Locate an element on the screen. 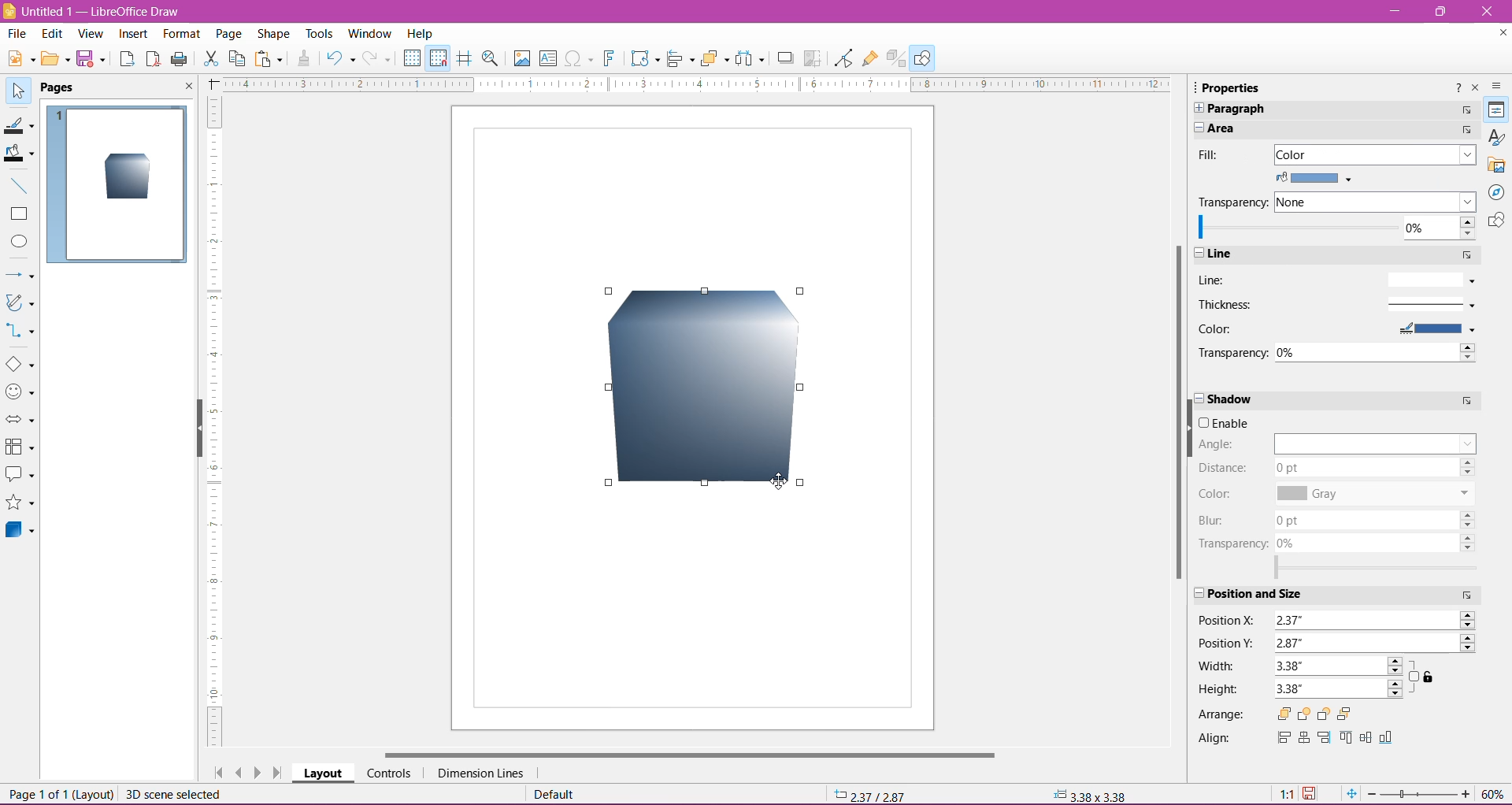  Lines and Arrows is located at coordinates (20, 276).